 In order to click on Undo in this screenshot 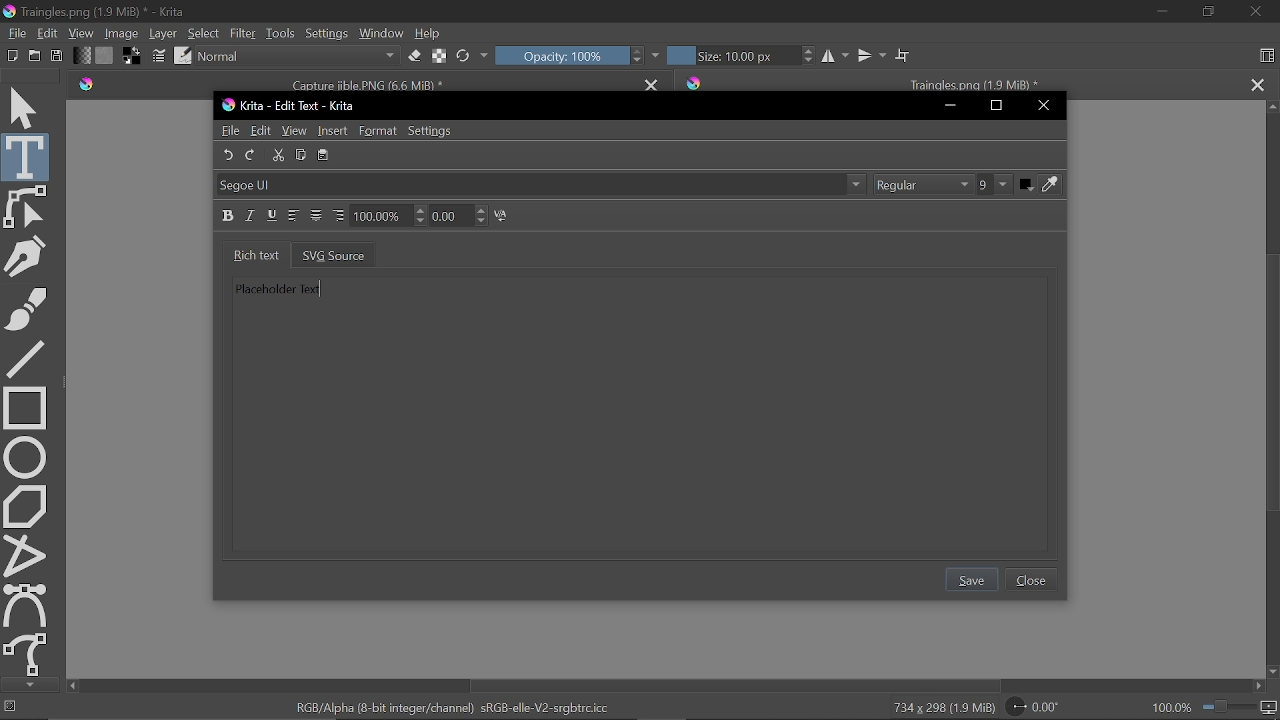, I will do `click(231, 157)`.